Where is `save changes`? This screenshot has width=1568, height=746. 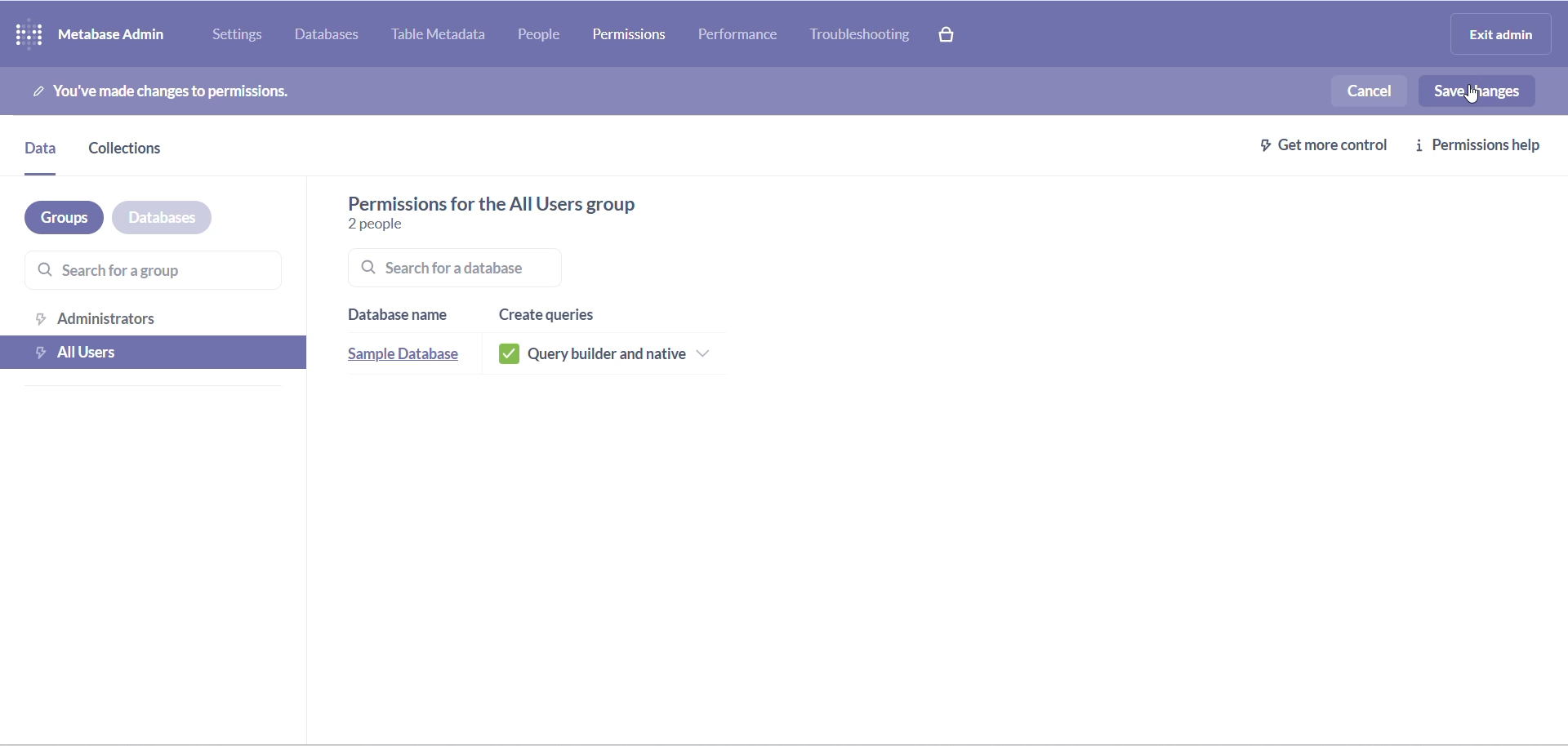
save changes is located at coordinates (1476, 91).